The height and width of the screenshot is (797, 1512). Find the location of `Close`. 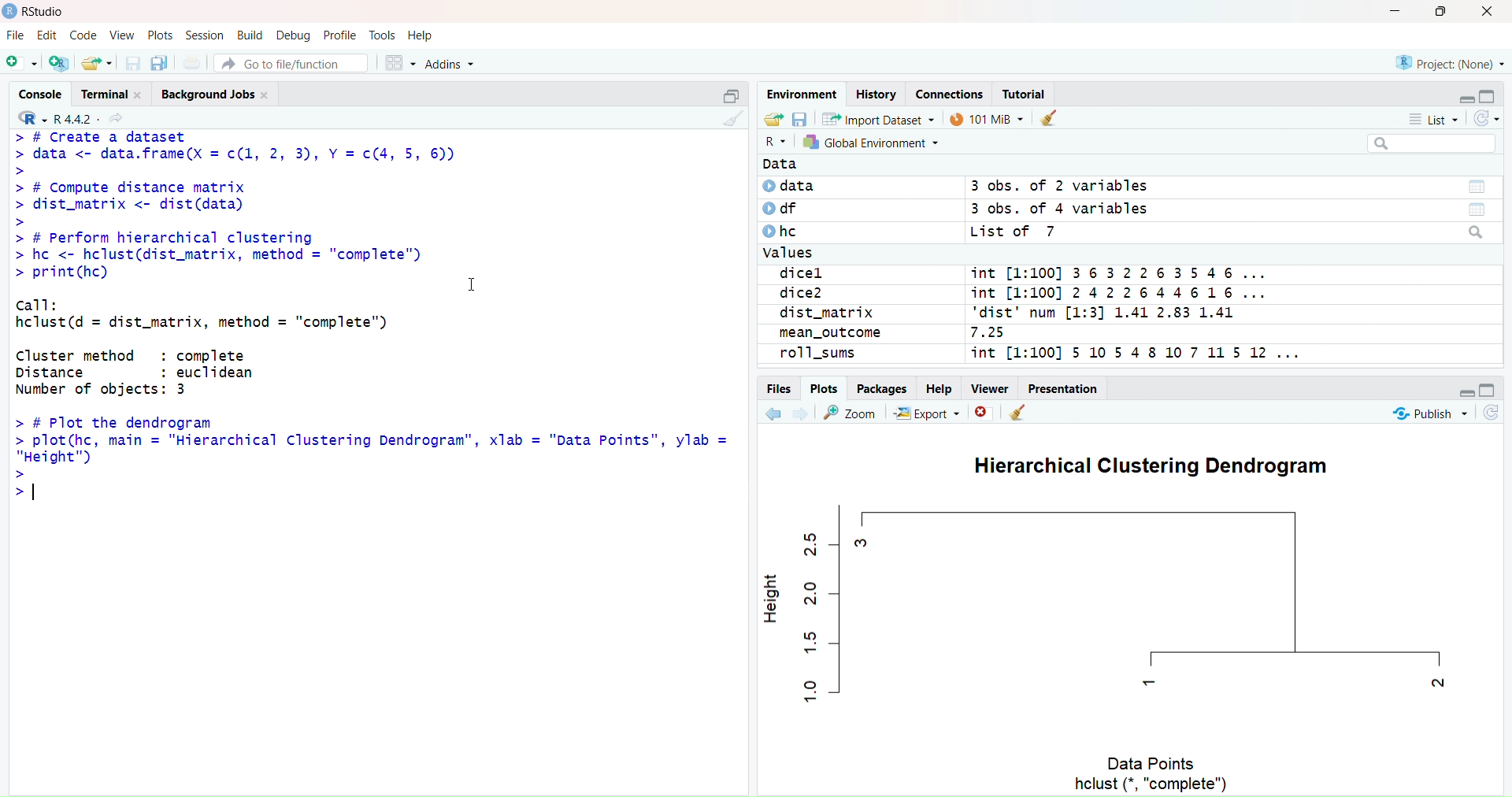

Close is located at coordinates (1487, 16).